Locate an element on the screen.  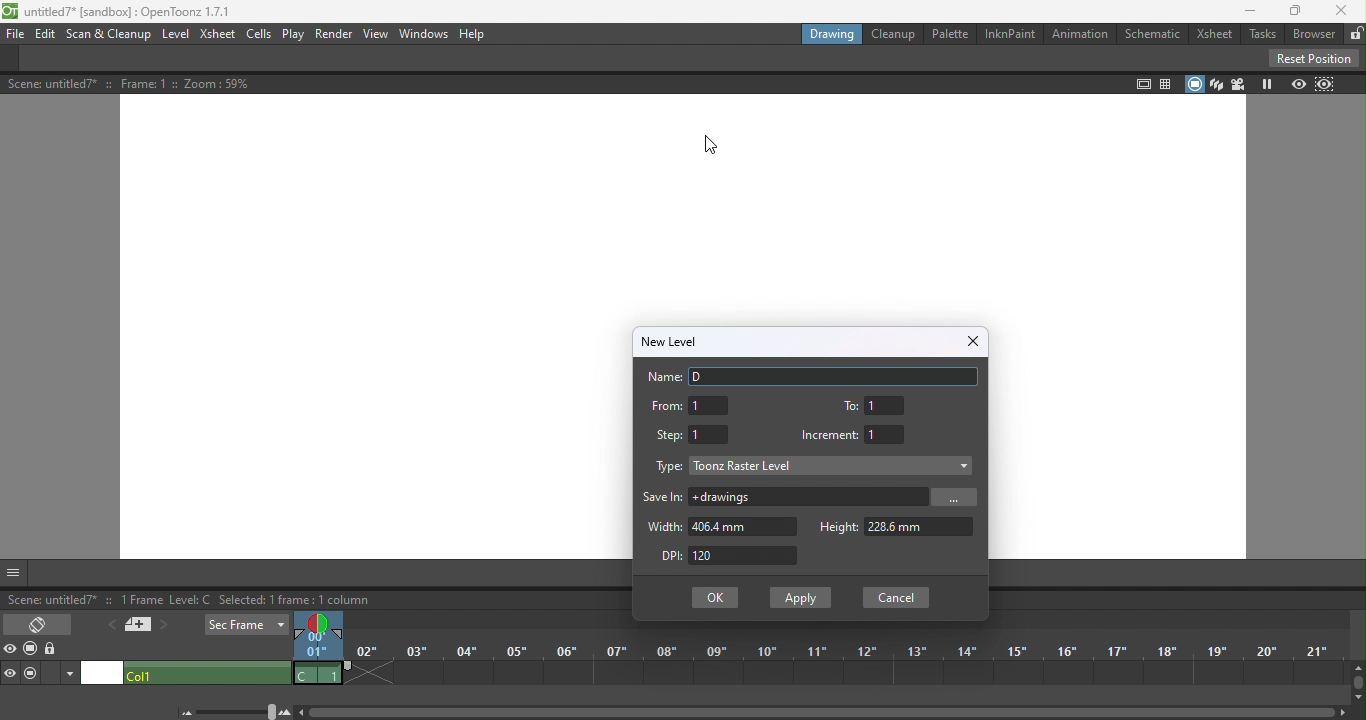
Save in is located at coordinates (664, 497).